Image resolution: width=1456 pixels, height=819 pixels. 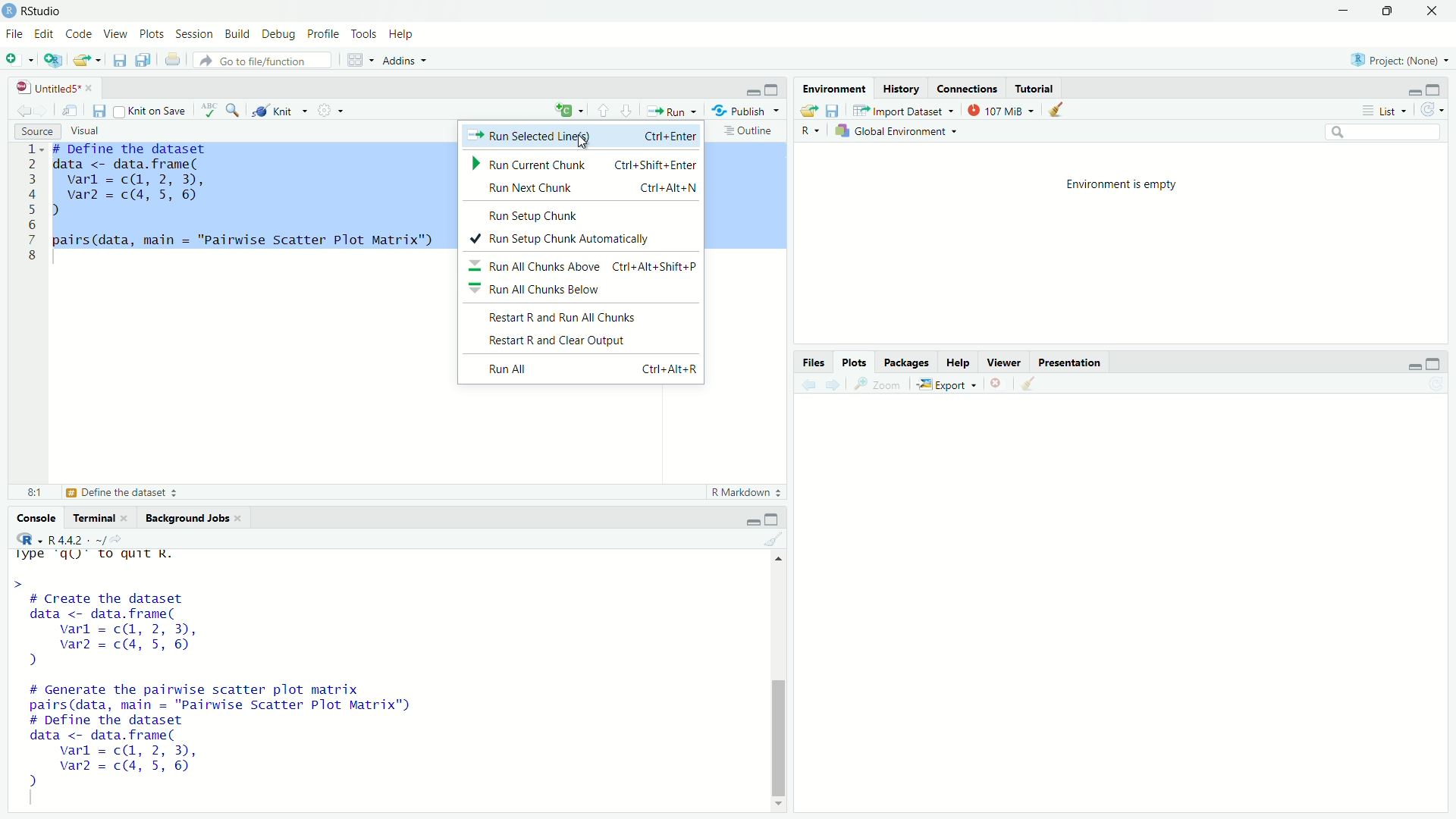 What do you see at coordinates (833, 108) in the screenshot?
I see `Save workspace as` at bounding box center [833, 108].